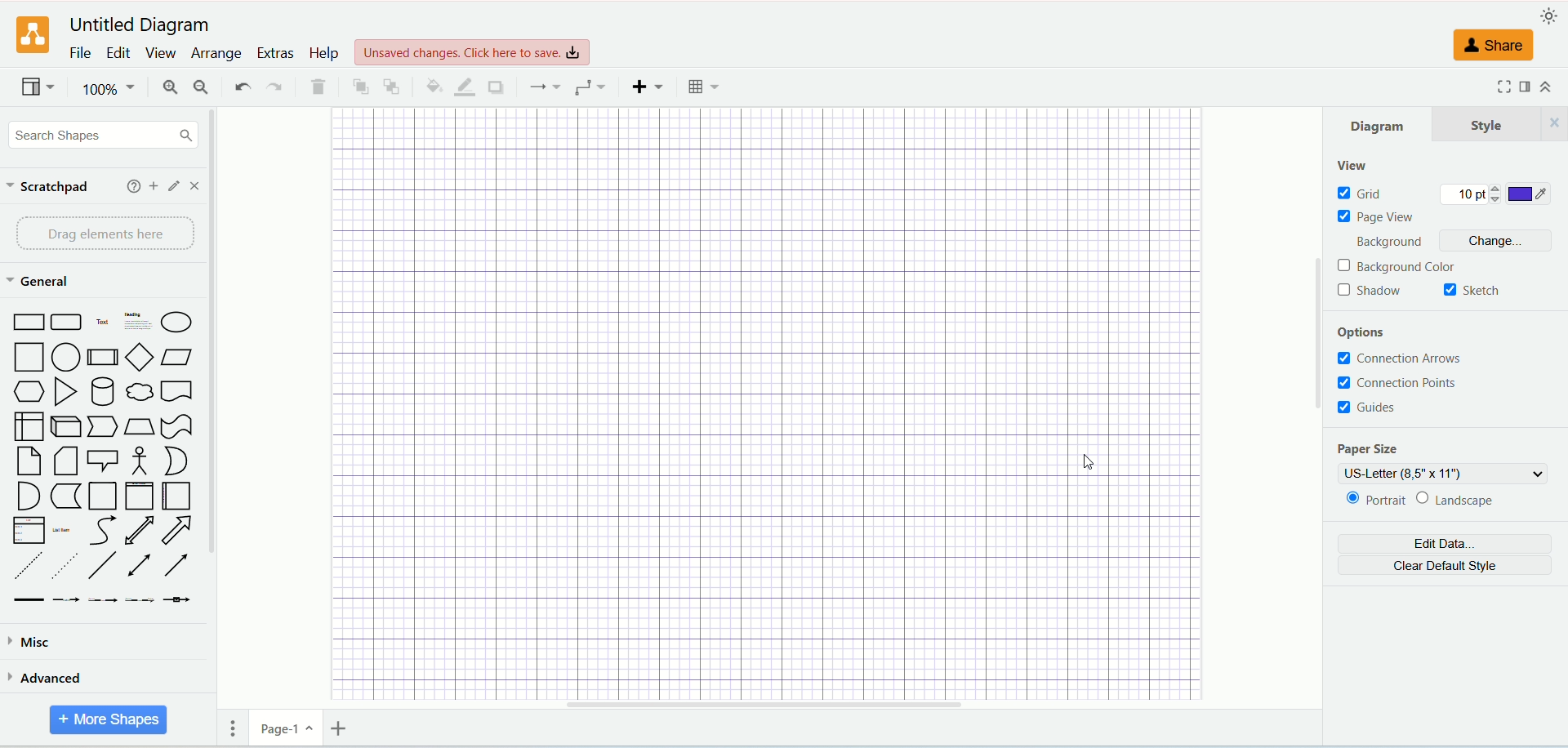 This screenshot has width=1568, height=748. What do you see at coordinates (198, 89) in the screenshot?
I see `zoom out` at bounding box center [198, 89].